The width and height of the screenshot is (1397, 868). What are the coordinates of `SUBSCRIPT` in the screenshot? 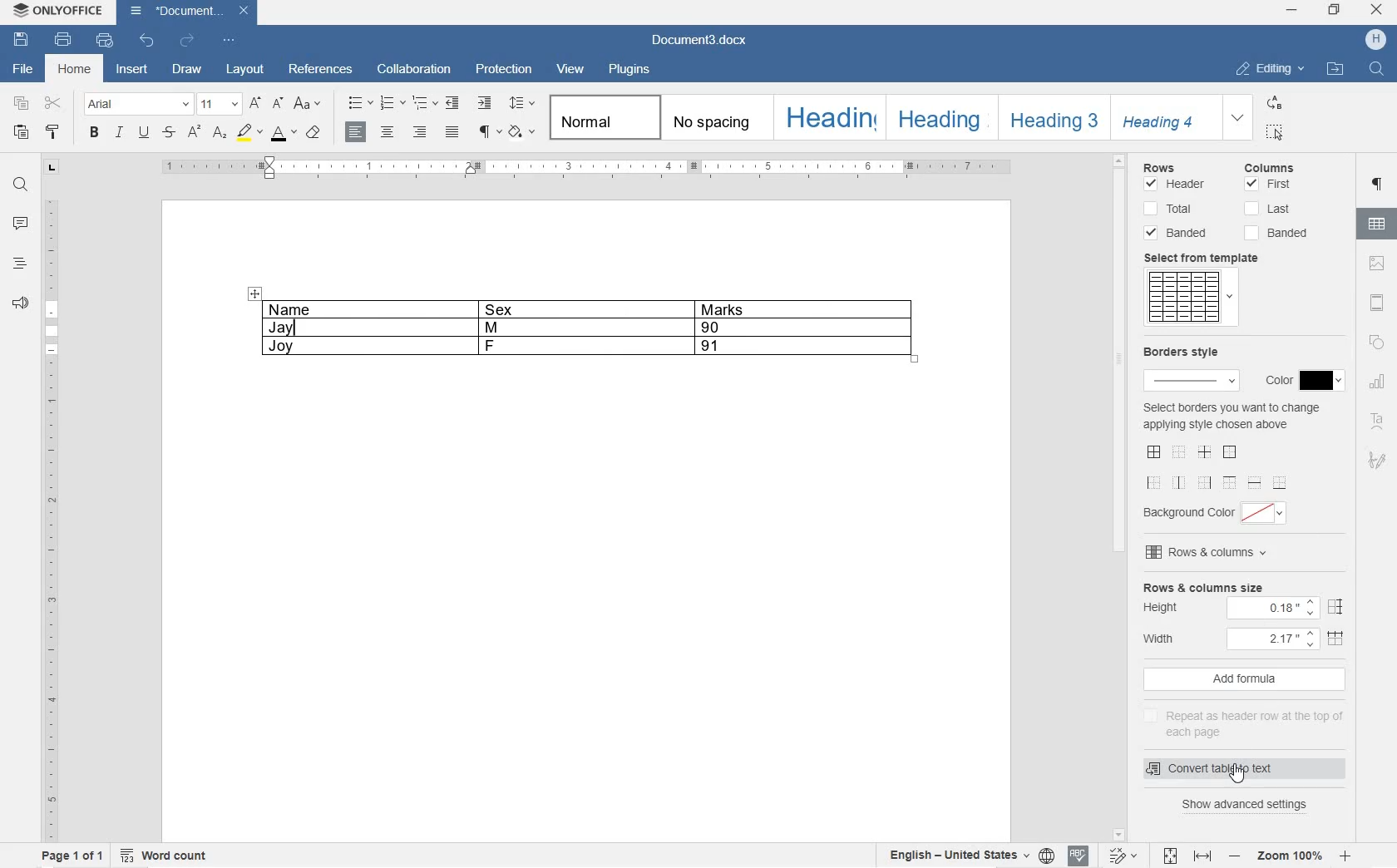 It's located at (220, 133).